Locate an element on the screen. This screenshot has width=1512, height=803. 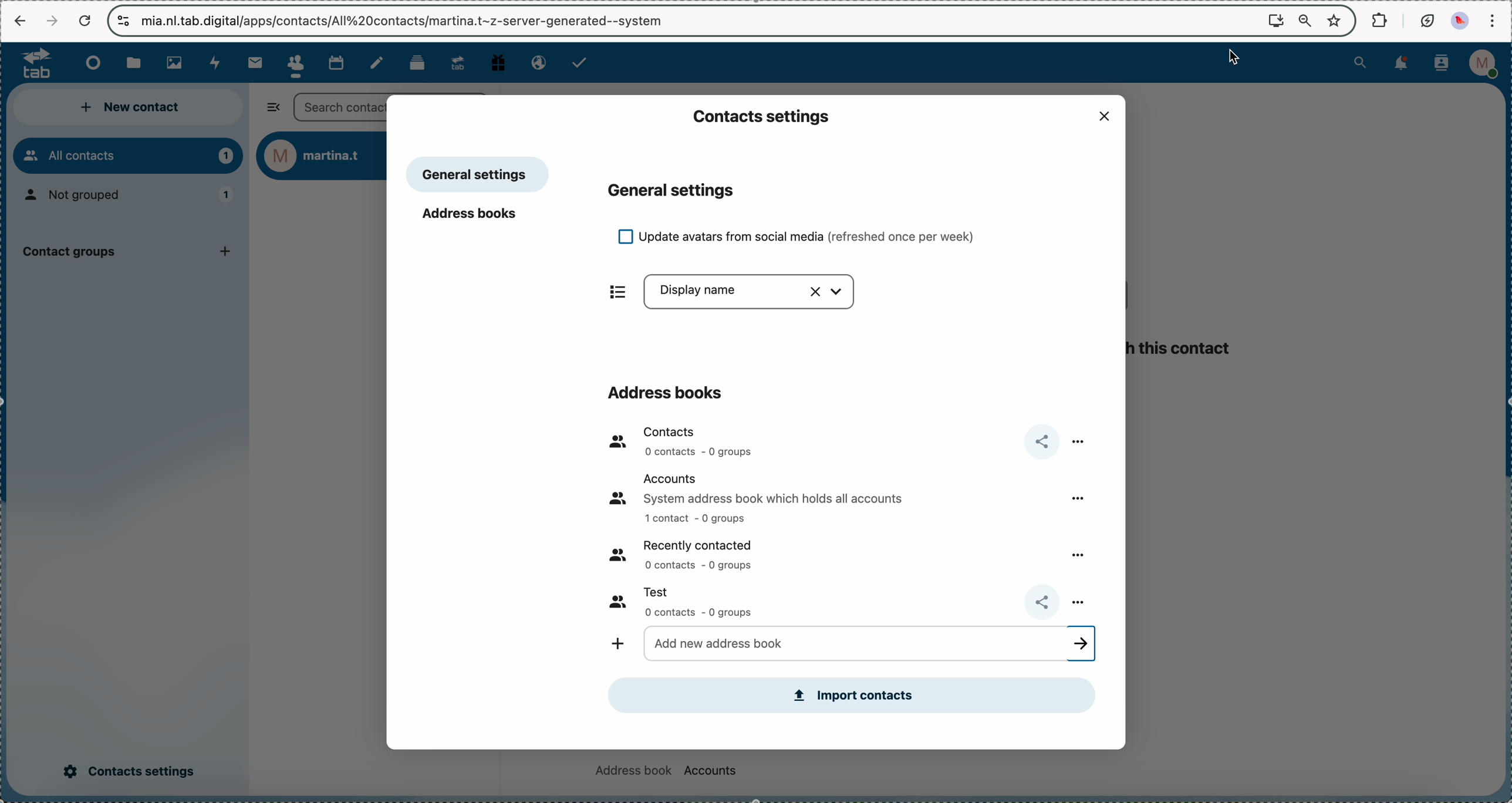
test is located at coordinates (684, 604).